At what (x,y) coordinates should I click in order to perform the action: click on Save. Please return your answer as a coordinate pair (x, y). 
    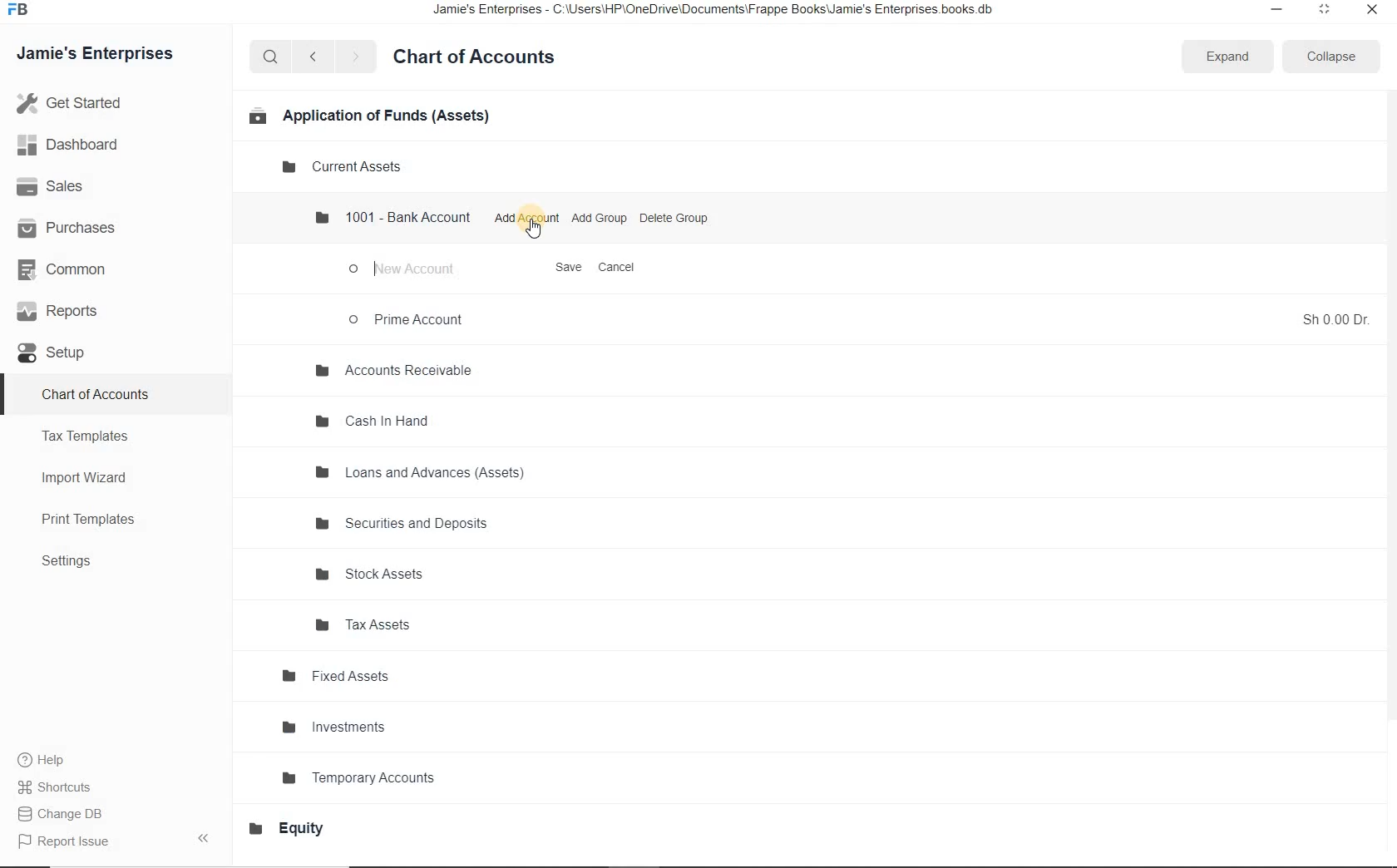
    Looking at the image, I should click on (570, 269).